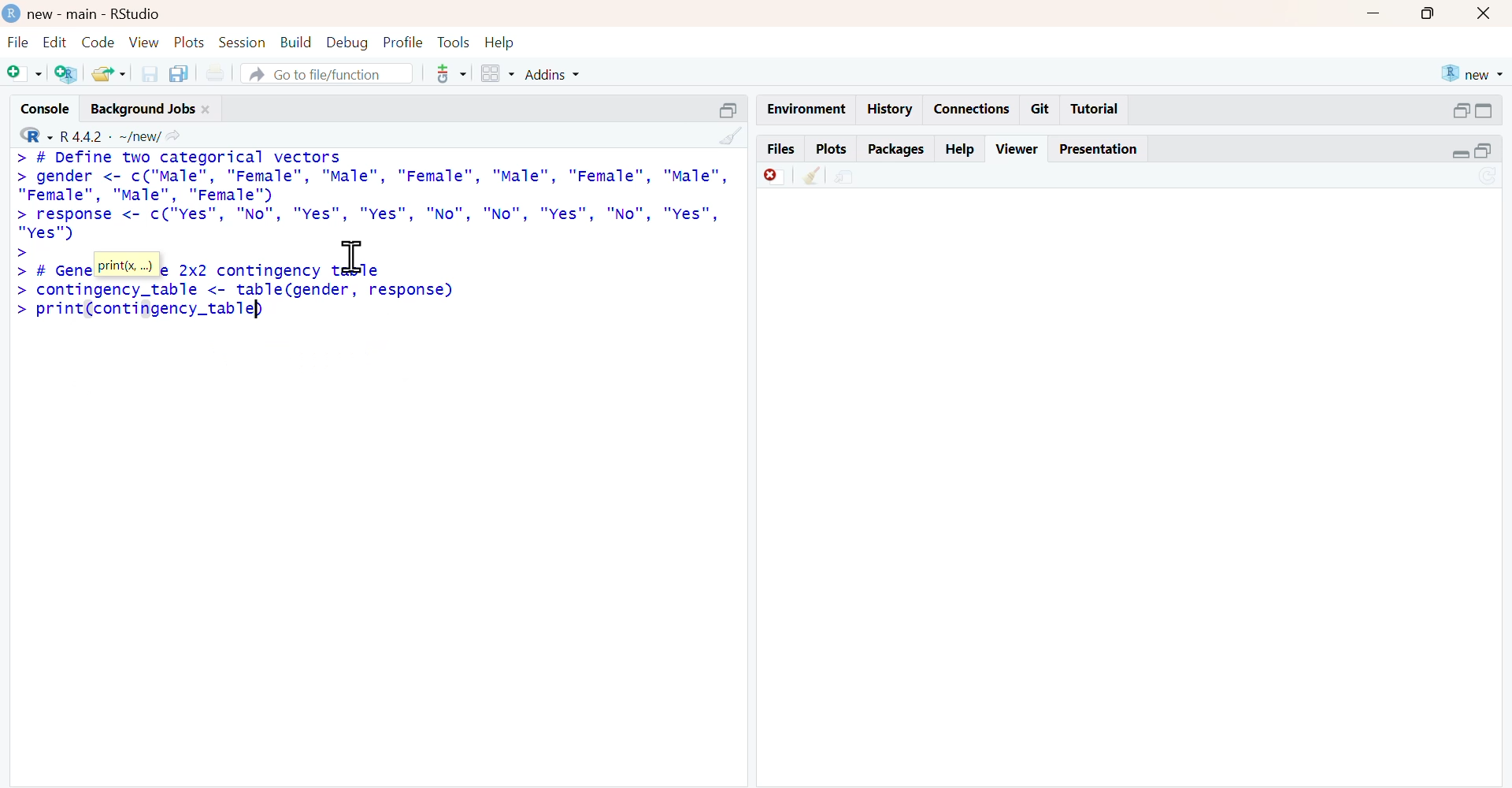 The image size is (1512, 788). What do you see at coordinates (1102, 151) in the screenshot?
I see `presentation` at bounding box center [1102, 151].